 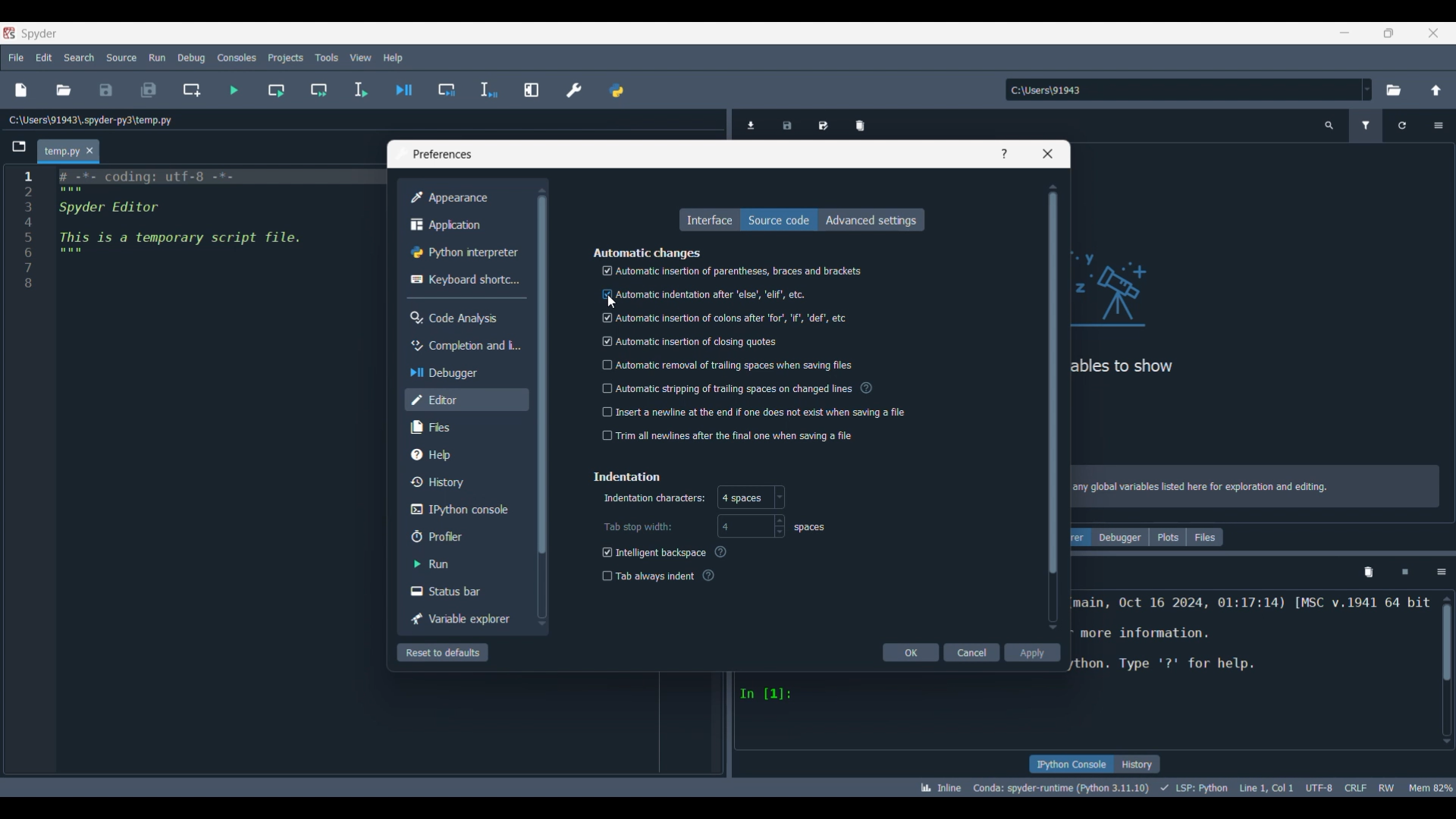 What do you see at coordinates (541, 406) in the screenshot?
I see `Vertical slide bar` at bounding box center [541, 406].